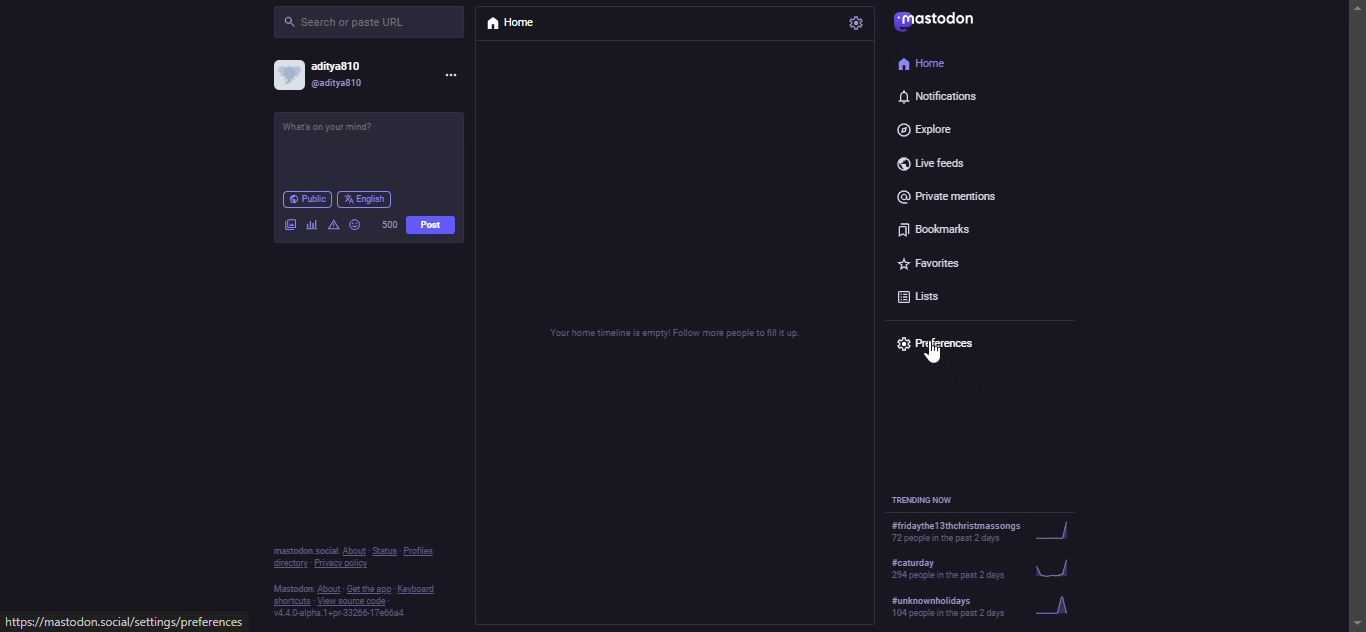 Image resolution: width=1366 pixels, height=632 pixels. Describe the element at coordinates (321, 75) in the screenshot. I see `account` at that location.